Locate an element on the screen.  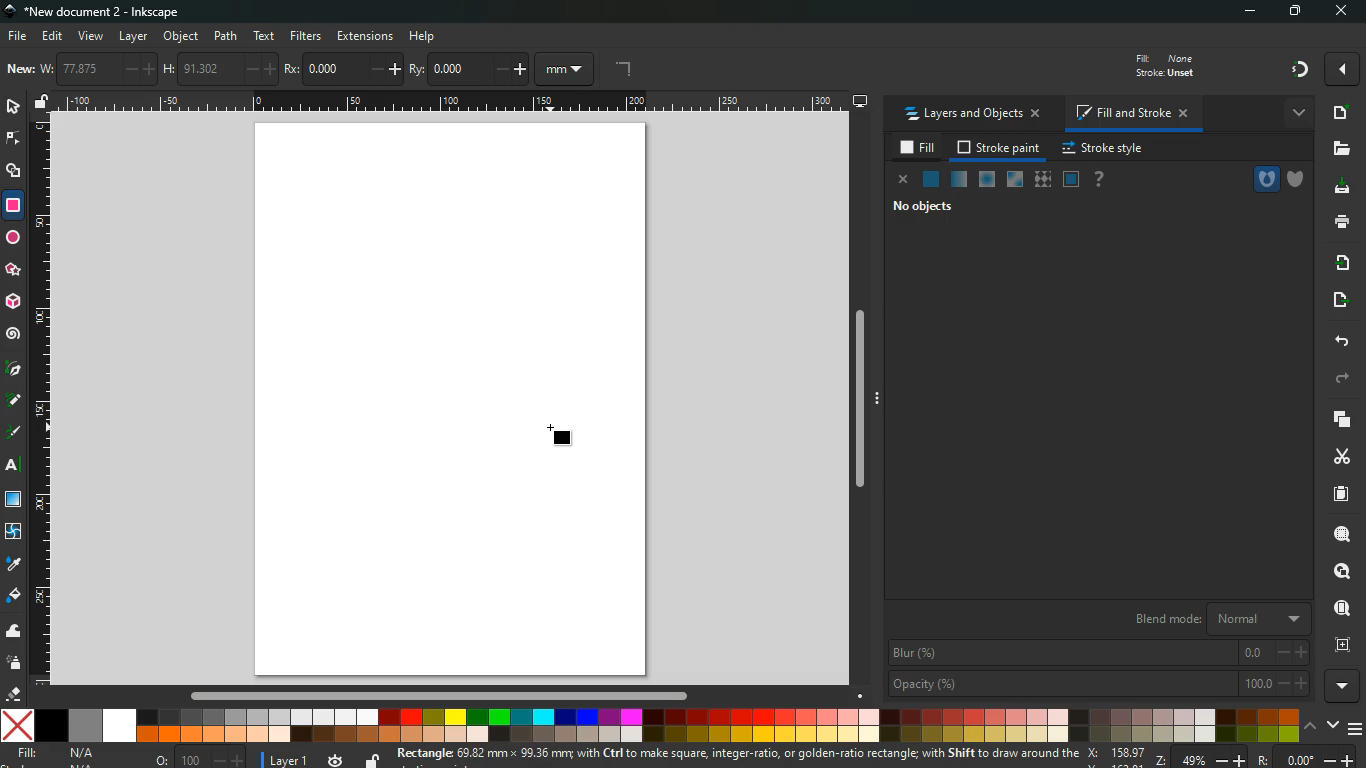
paper is located at coordinates (1340, 494).